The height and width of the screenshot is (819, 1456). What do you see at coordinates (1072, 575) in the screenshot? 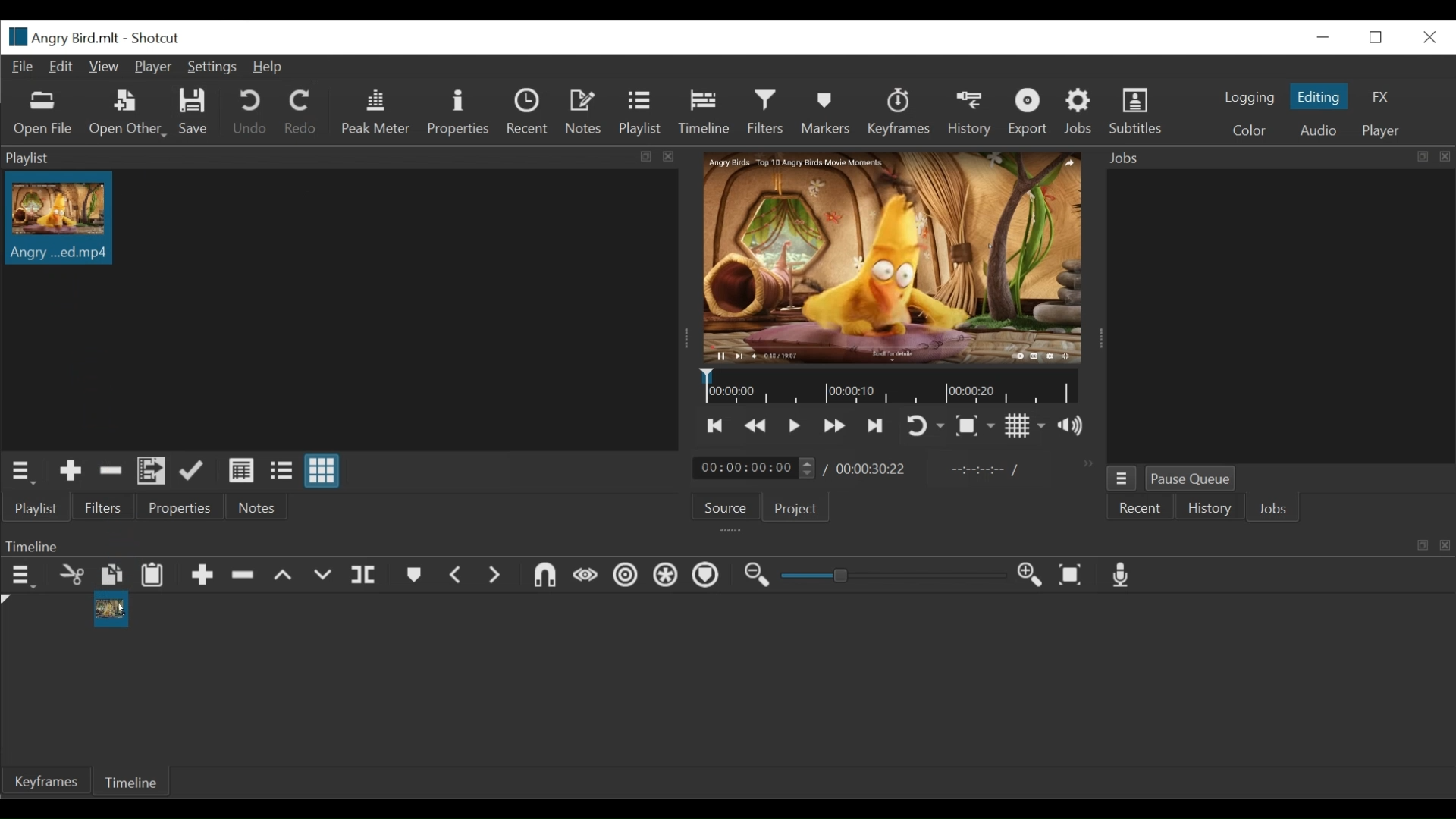
I see `zoom timeline to fit` at bounding box center [1072, 575].